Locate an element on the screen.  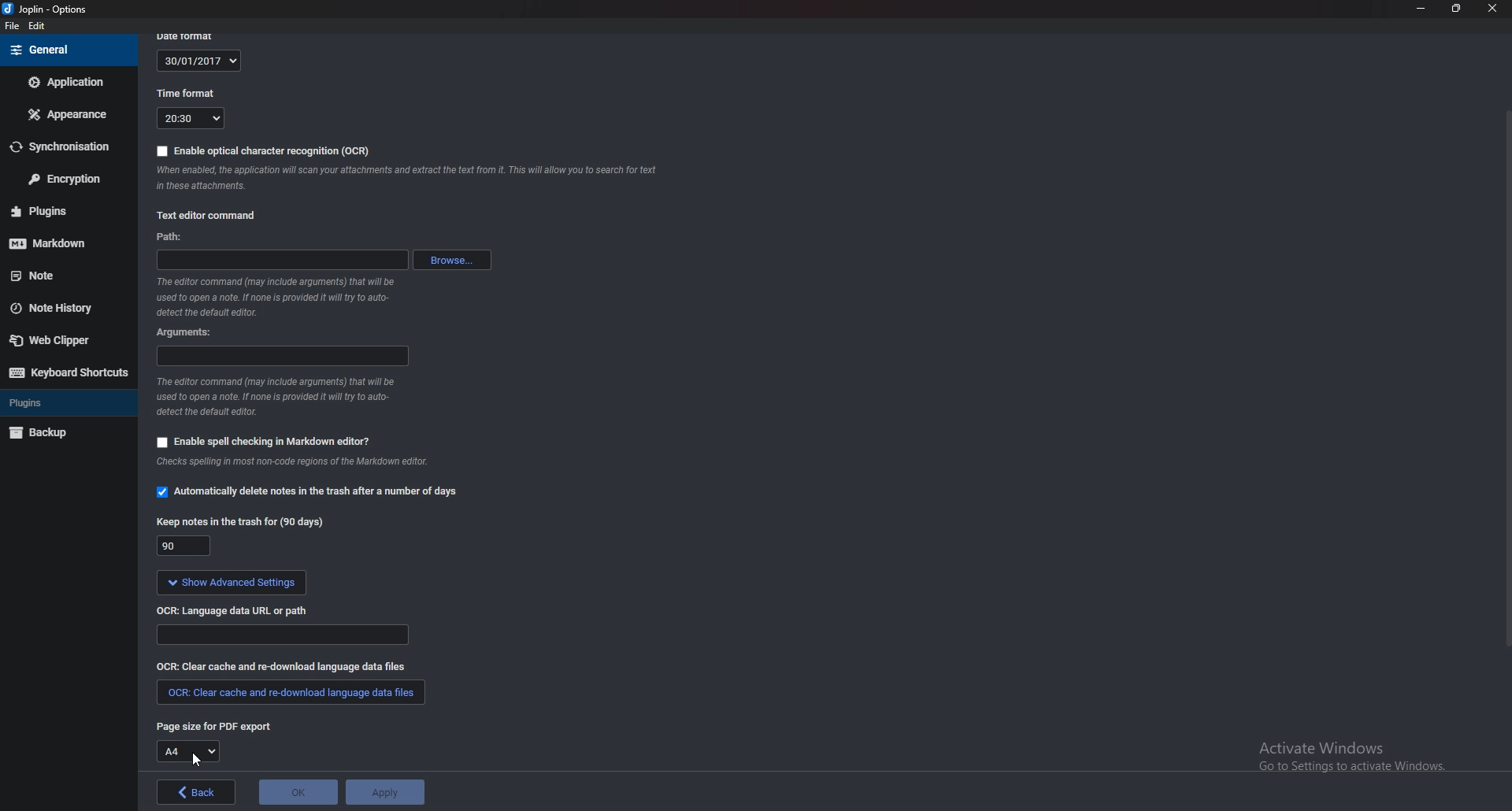
90 days is located at coordinates (181, 546).